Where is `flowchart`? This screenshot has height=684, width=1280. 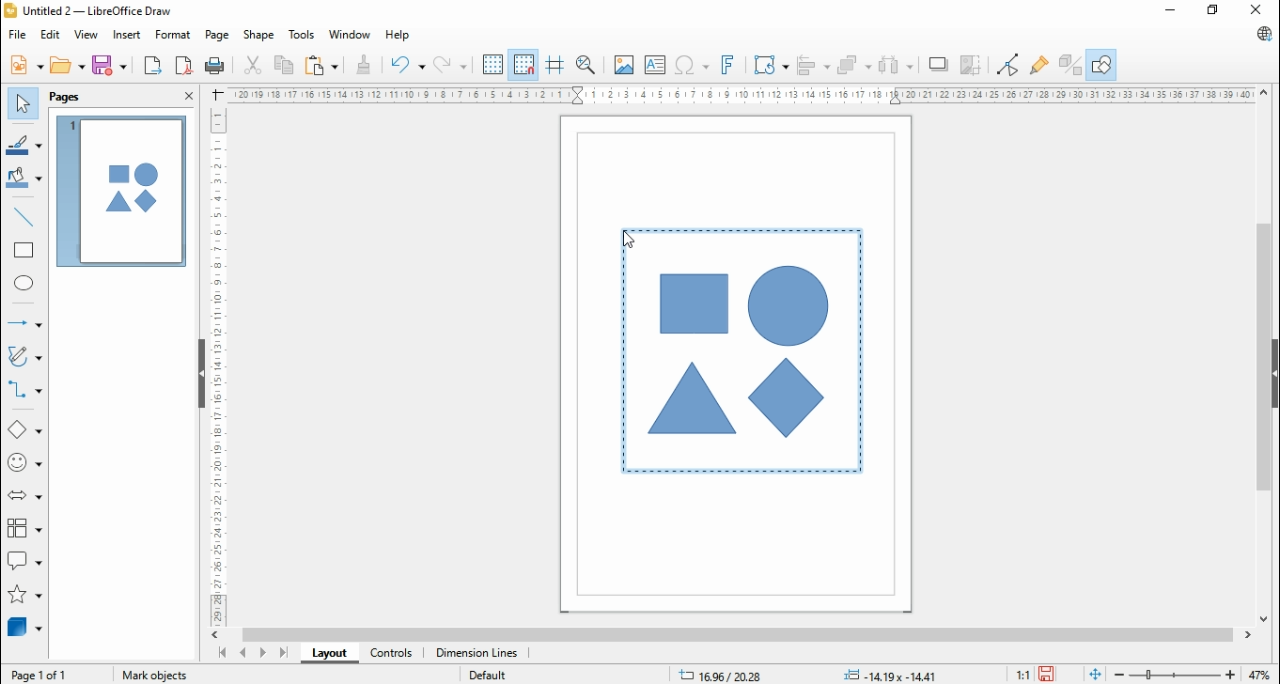
flowchart is located at coordinates (24, 528).